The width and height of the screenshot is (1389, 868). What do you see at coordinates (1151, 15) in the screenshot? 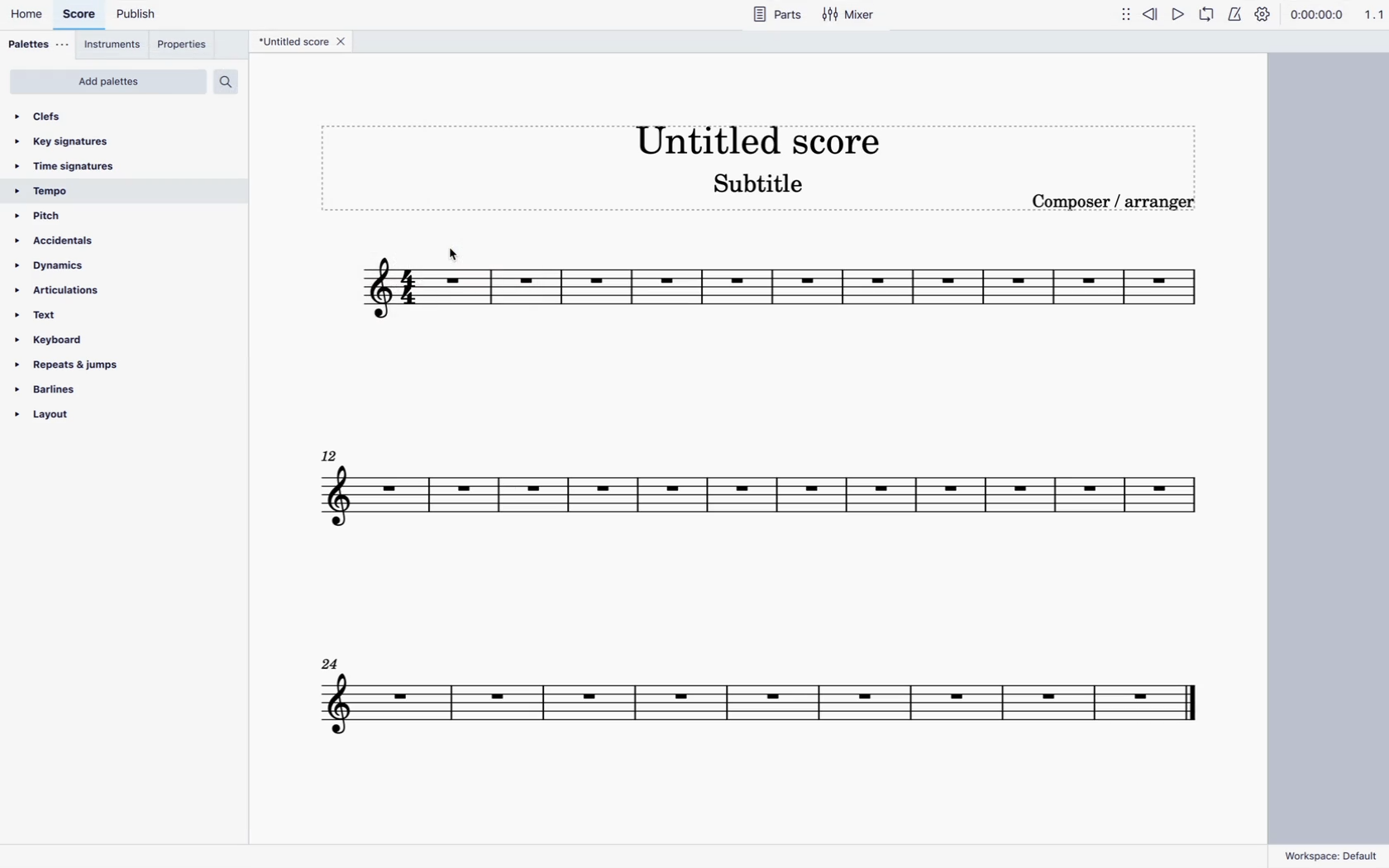
I see `review` at bounding box center [1151, 15].